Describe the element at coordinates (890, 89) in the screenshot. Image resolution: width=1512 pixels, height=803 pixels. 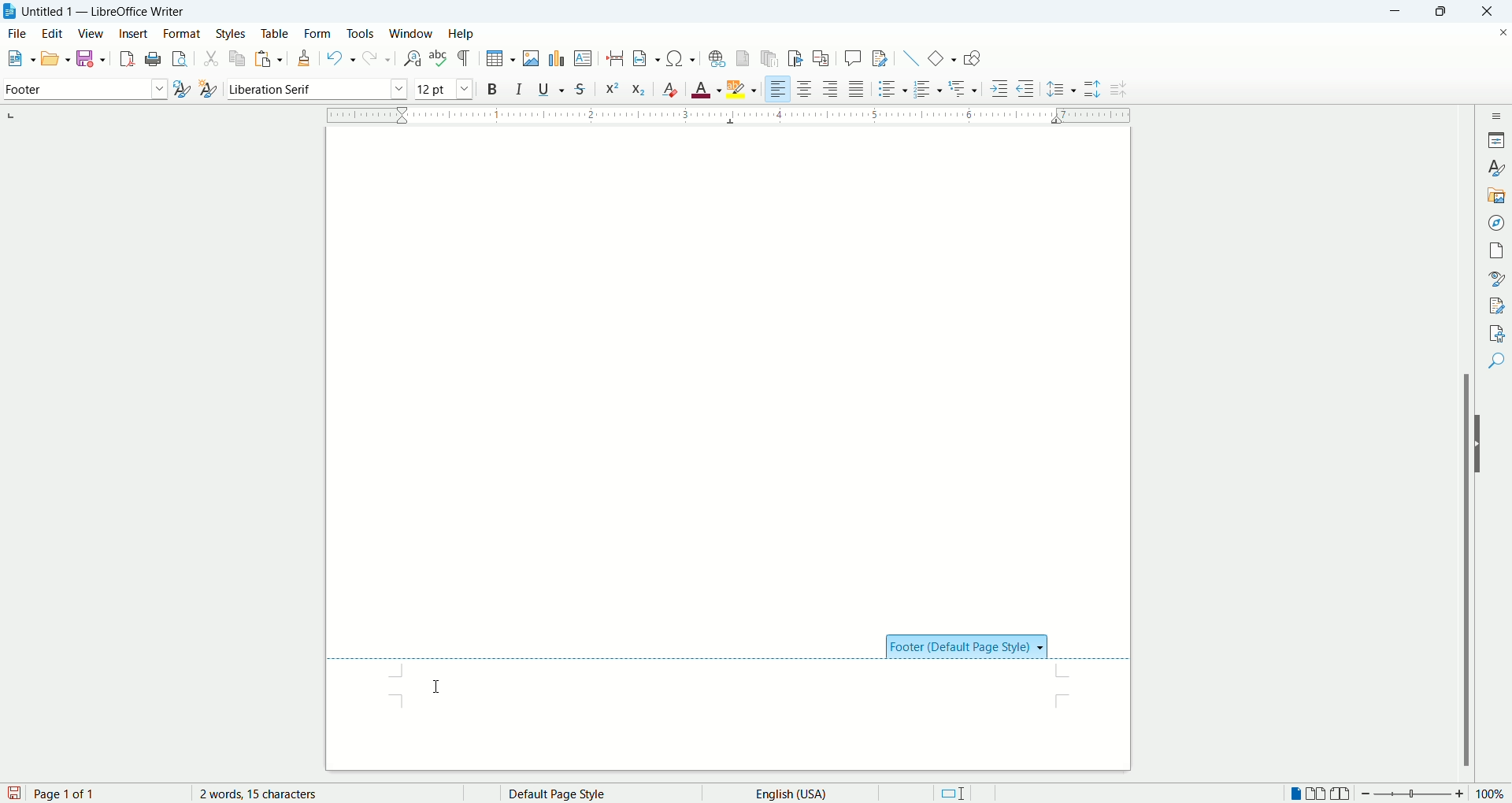
I see `unordered list` at that location.